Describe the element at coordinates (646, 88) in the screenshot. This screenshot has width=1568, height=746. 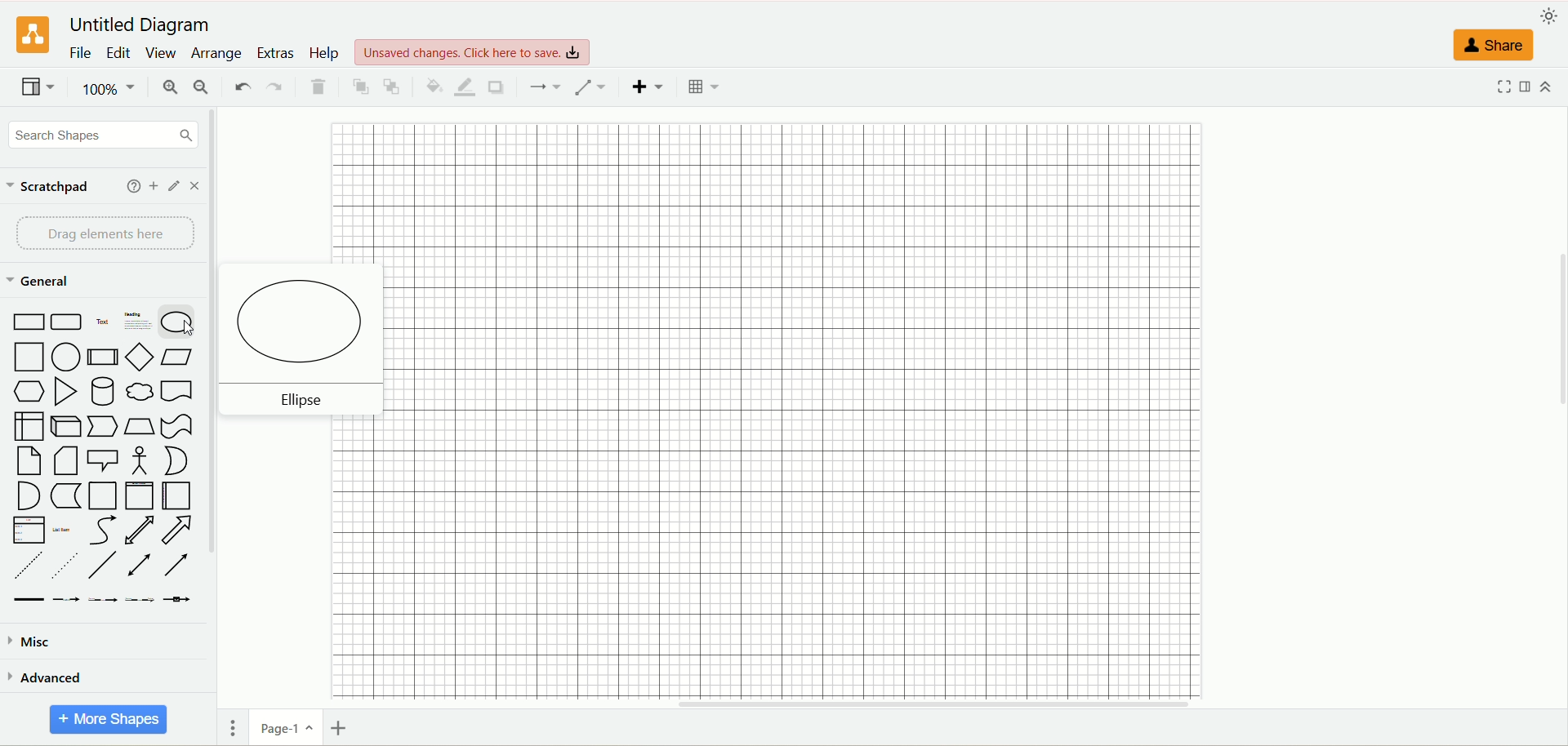
I see `Insert` at that location.